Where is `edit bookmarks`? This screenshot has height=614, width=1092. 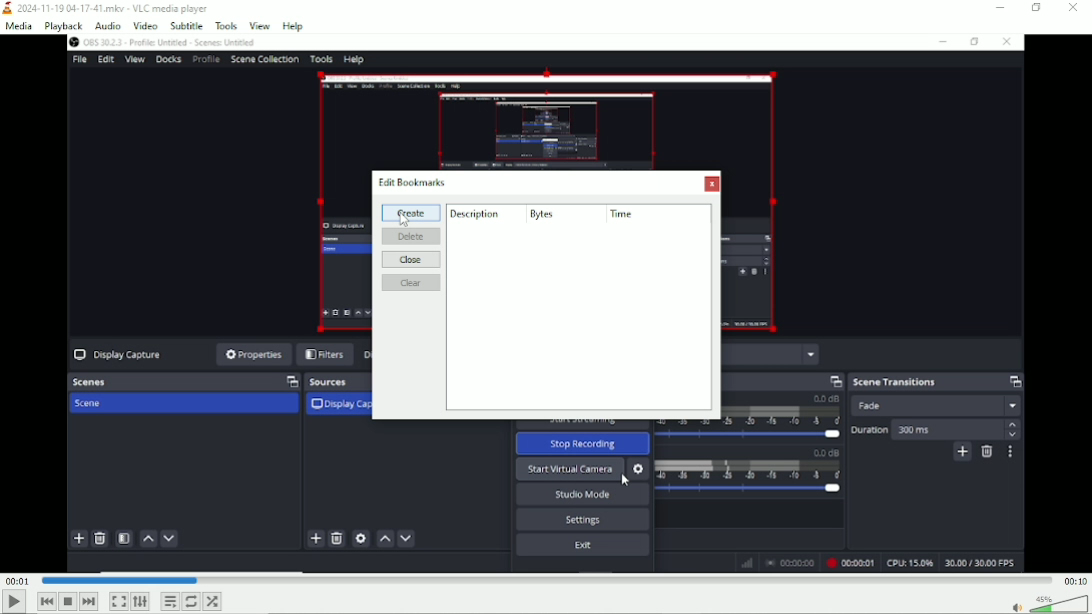
edit bookmarks is located at coordinates (414, 180).